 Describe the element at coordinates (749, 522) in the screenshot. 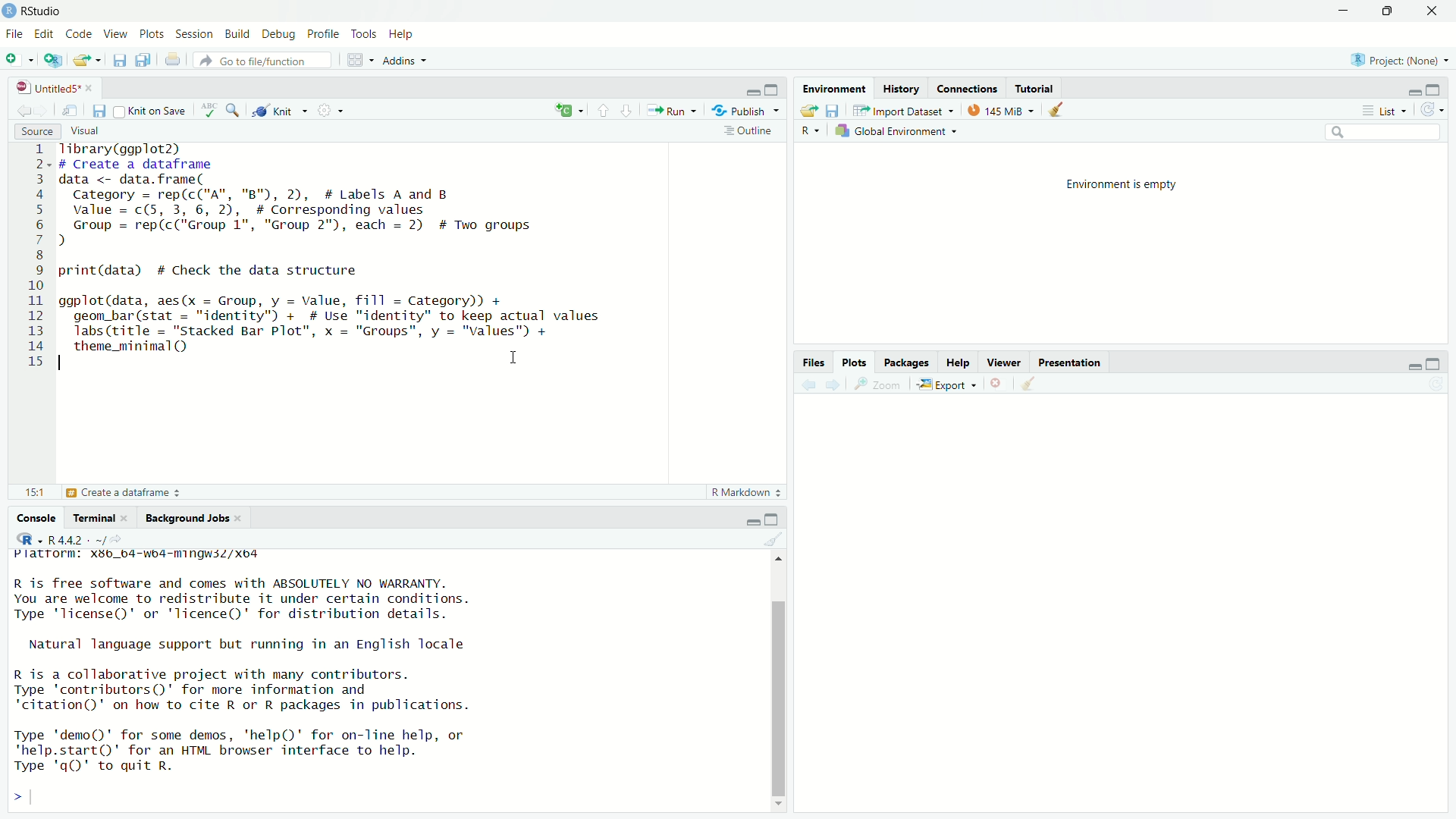

I see `Minimize` at that location.